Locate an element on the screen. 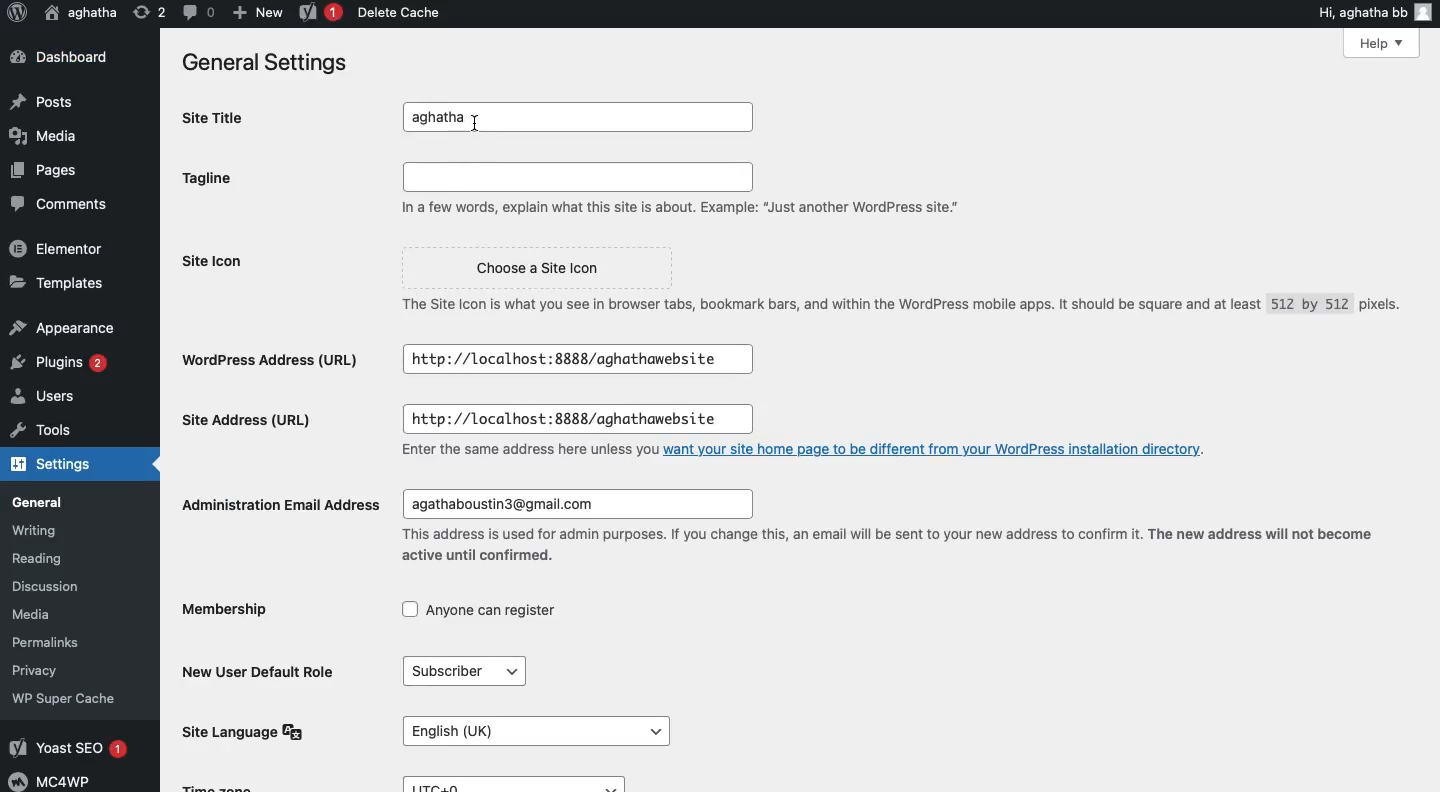 This screenshot has height=792, width=1440. Administration email address is located at coordinates (278, 501).